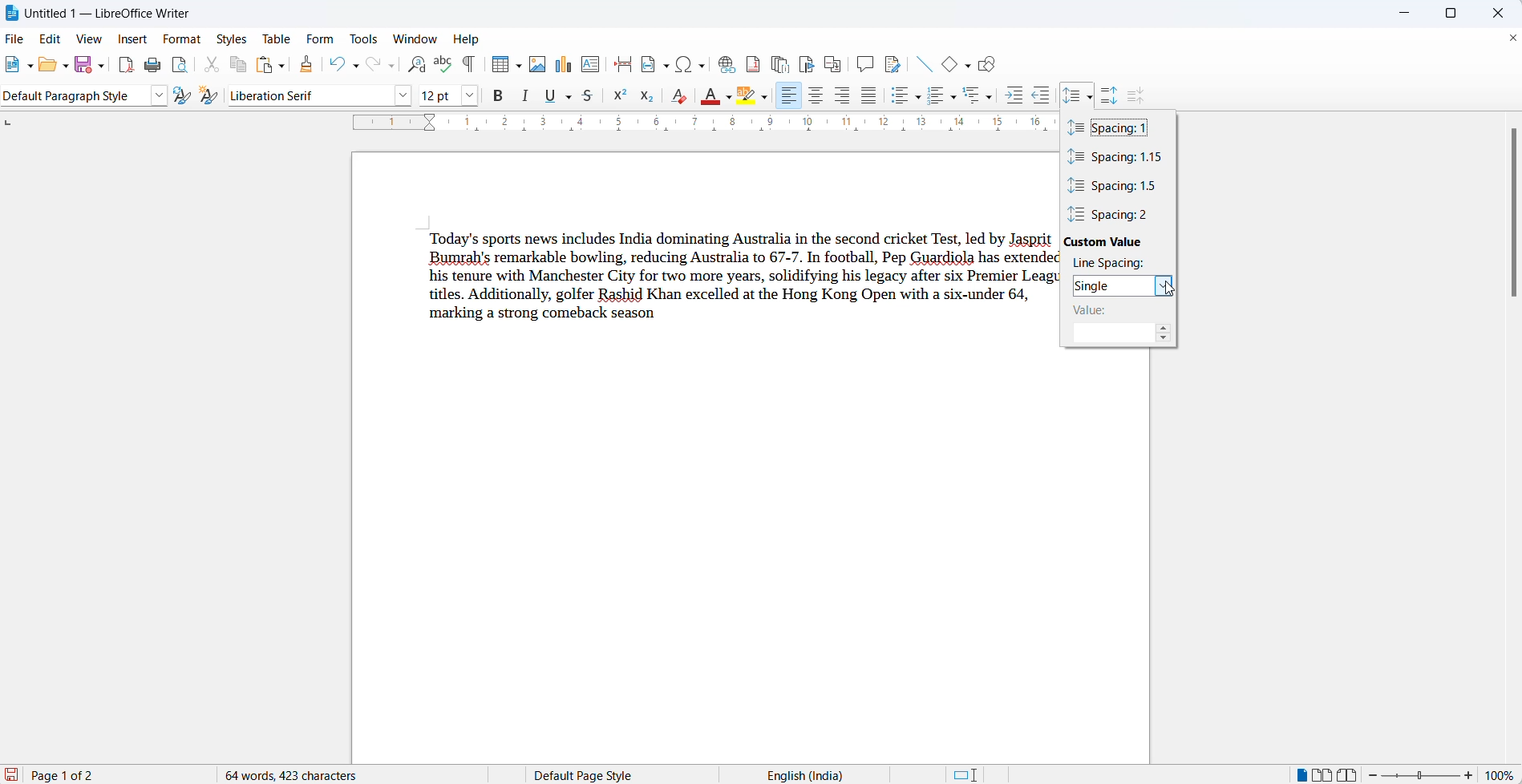 The width and height of the screenshot is (1522, 784). What do you see at coordinates (443, 65) in the screenshot?
I see `spellings` at bounding box center [443, 65].